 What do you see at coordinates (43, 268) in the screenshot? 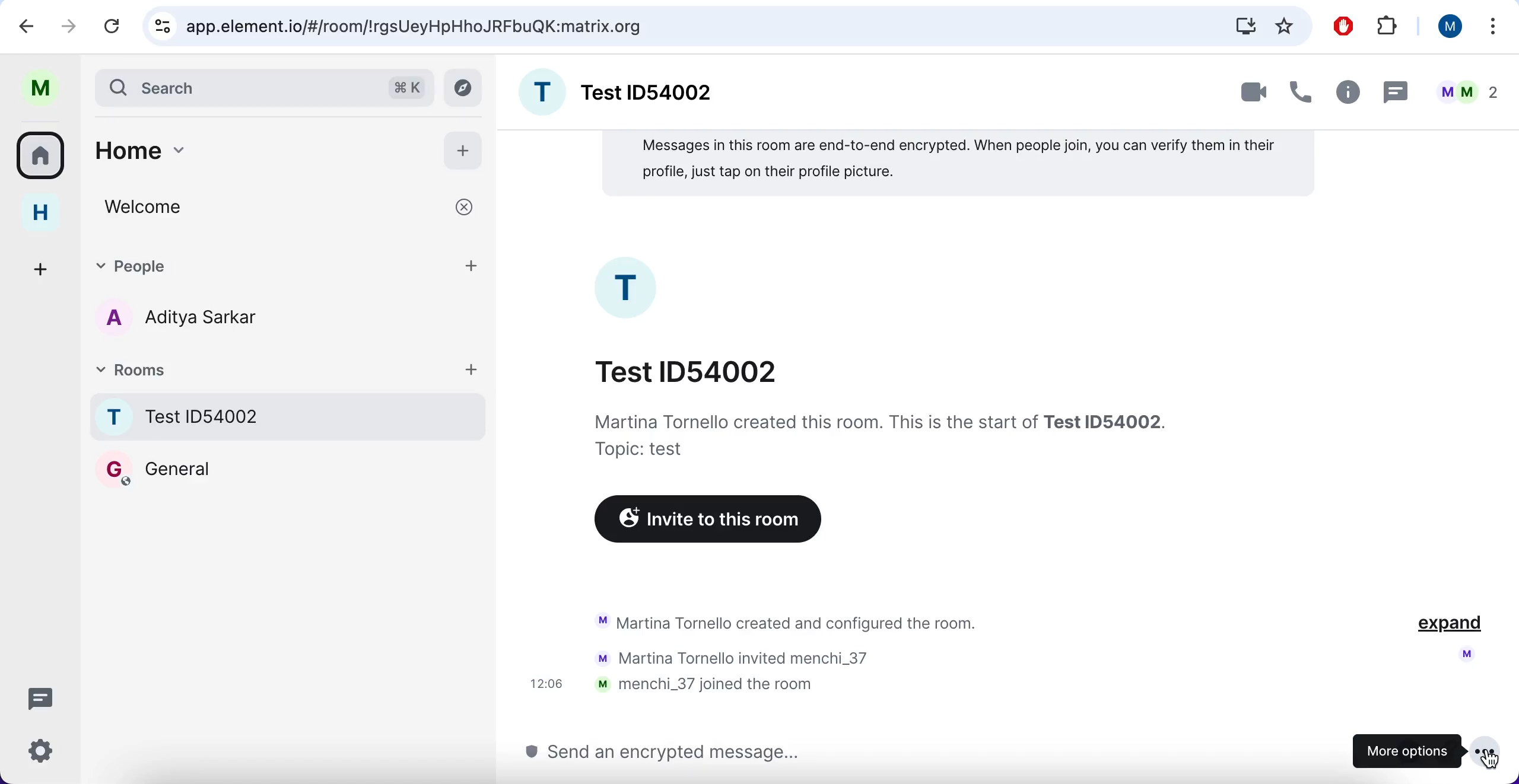
I see `create a space` at bounding box center [43, 268].